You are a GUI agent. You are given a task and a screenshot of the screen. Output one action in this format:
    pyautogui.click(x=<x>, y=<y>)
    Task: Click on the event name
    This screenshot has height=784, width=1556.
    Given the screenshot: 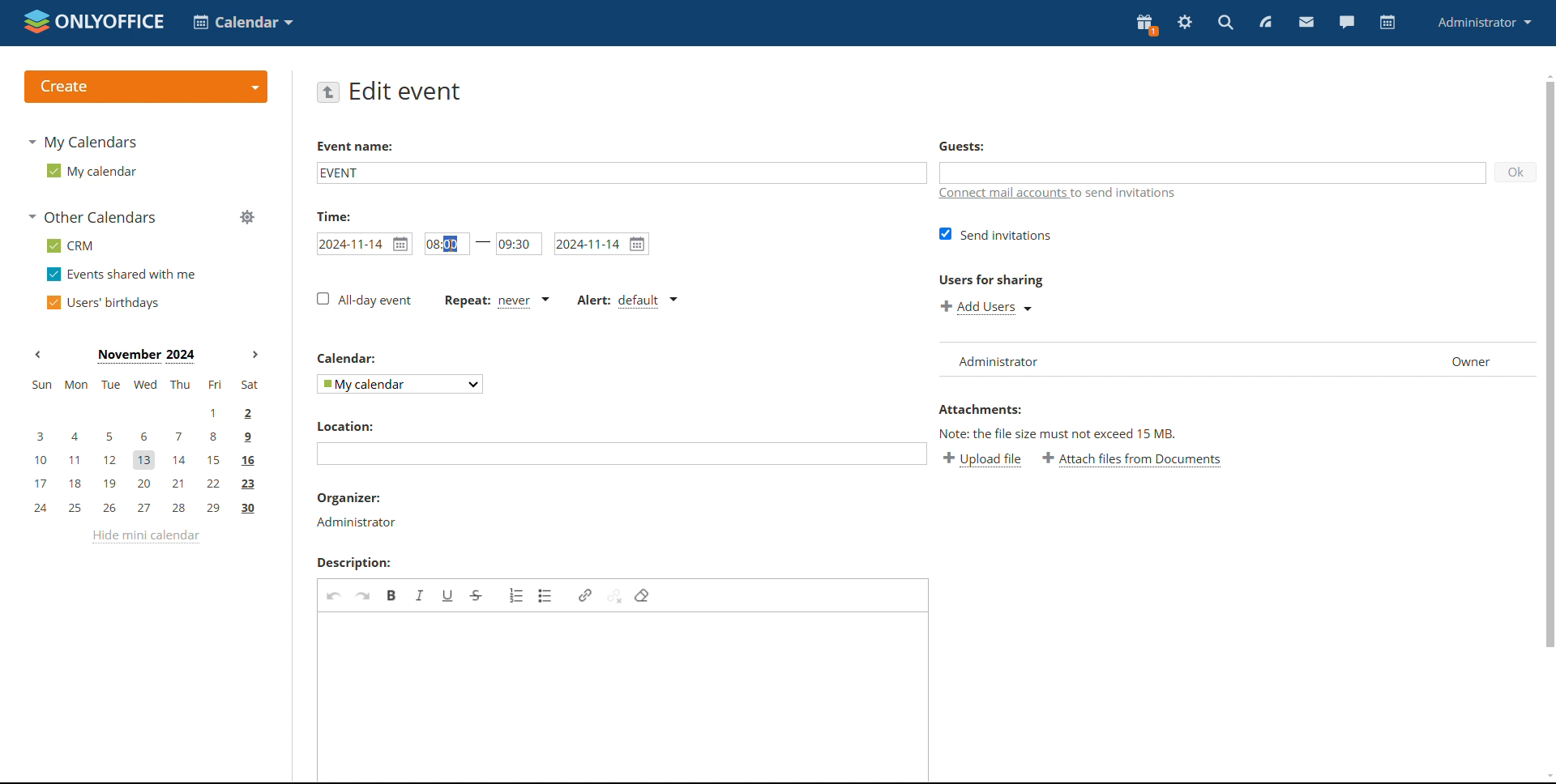 What is the action you would take?
    pyautogui.click(x=354, y=146)
    